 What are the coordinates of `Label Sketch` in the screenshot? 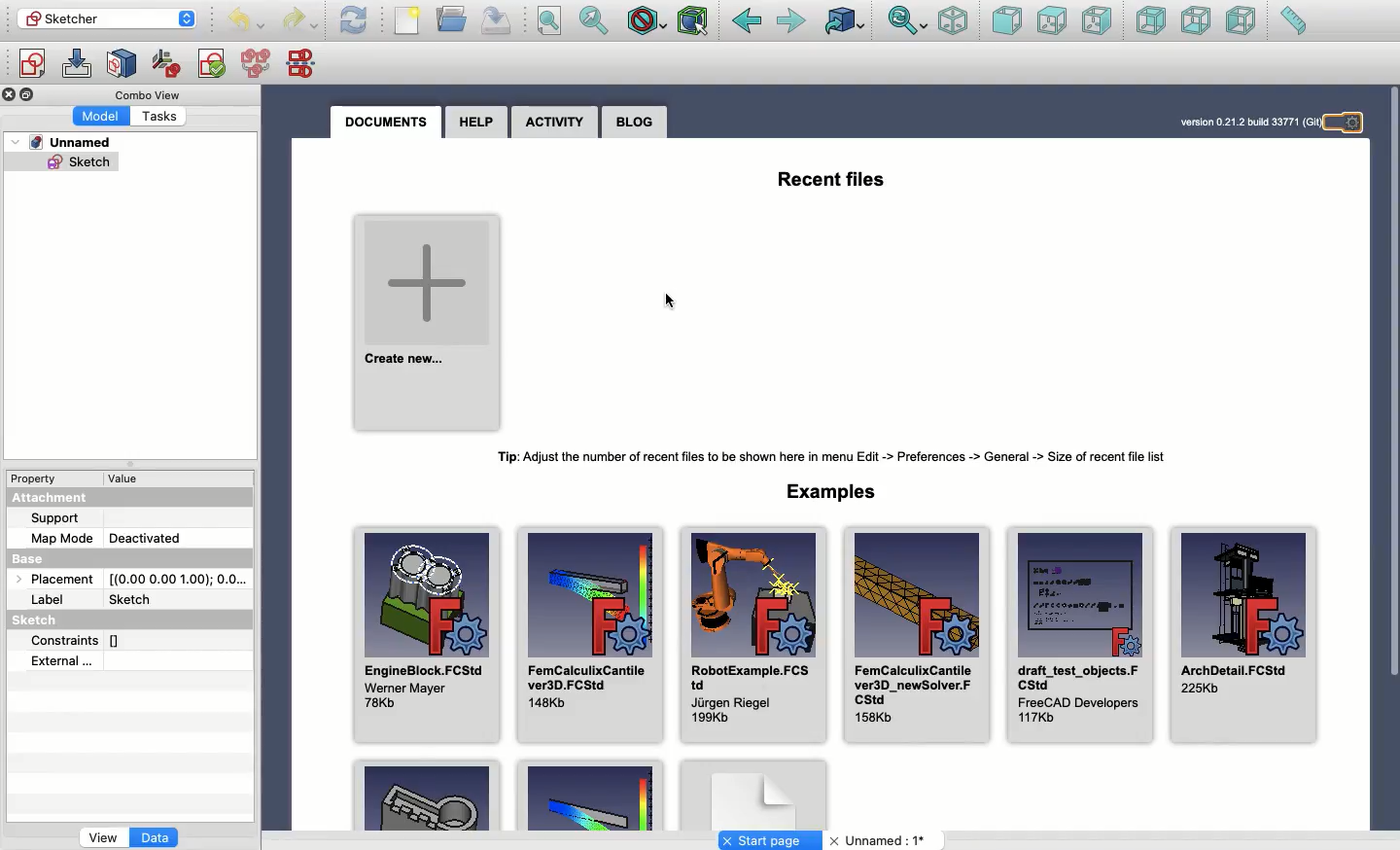 It's located at (101, 600).